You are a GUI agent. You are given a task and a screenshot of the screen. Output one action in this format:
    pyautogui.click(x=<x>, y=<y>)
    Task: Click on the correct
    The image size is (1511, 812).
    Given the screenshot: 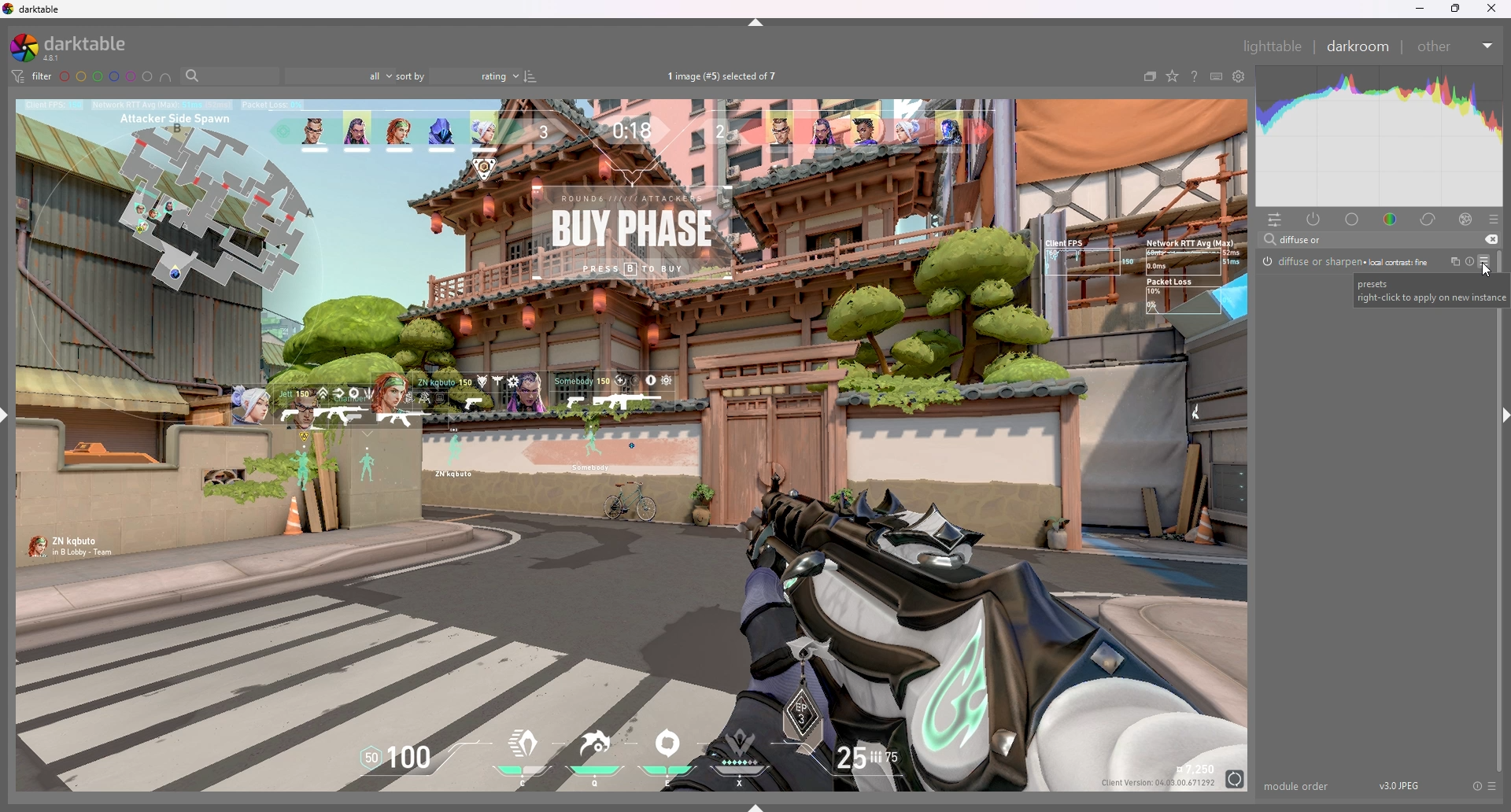 What is the action you would take?
    pyautogui.click(x=1429, y=219)
    